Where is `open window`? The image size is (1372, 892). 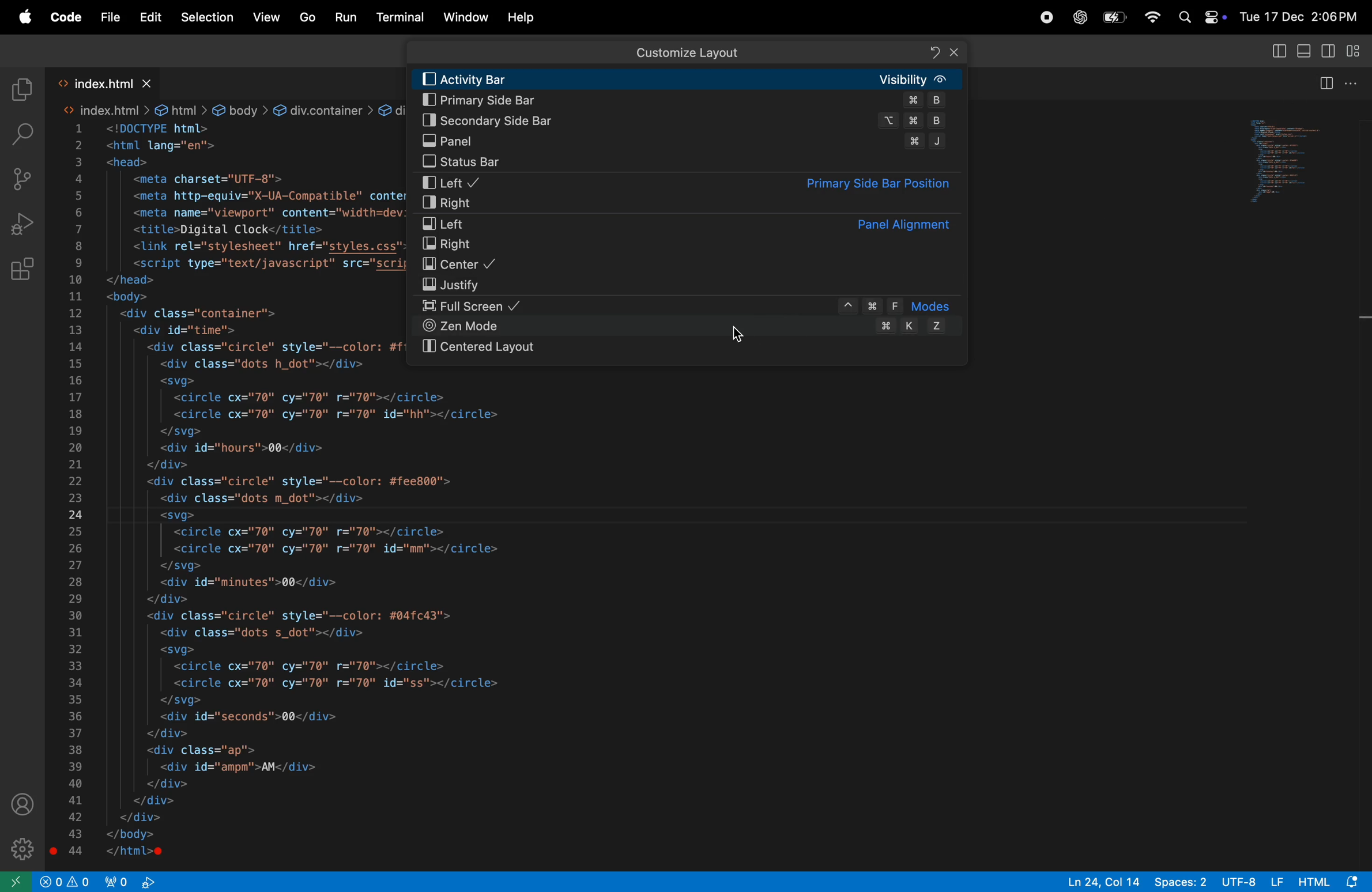
open window is located at coordinates (16, 882).